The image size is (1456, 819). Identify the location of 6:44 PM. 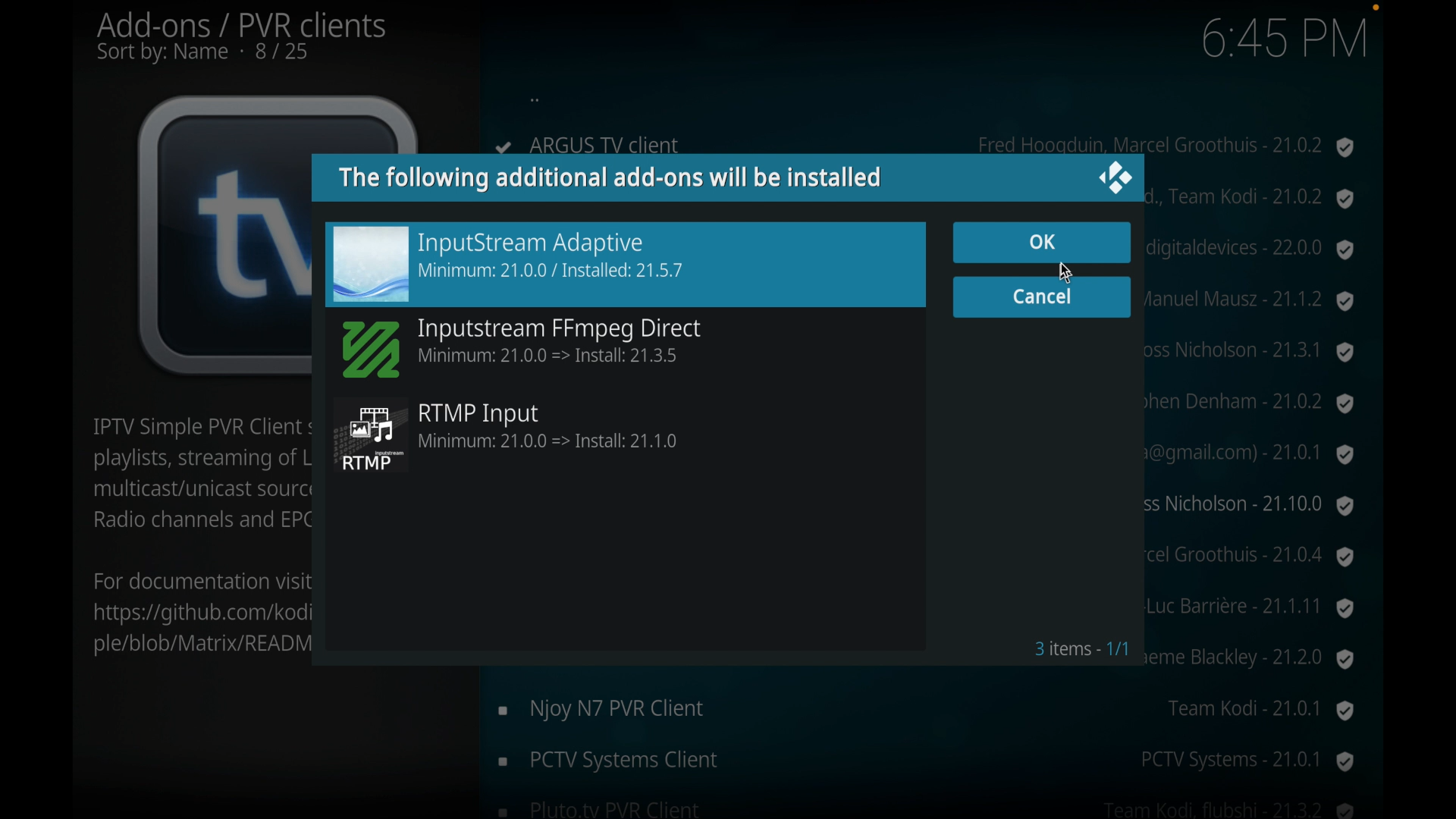
(1291, 40).